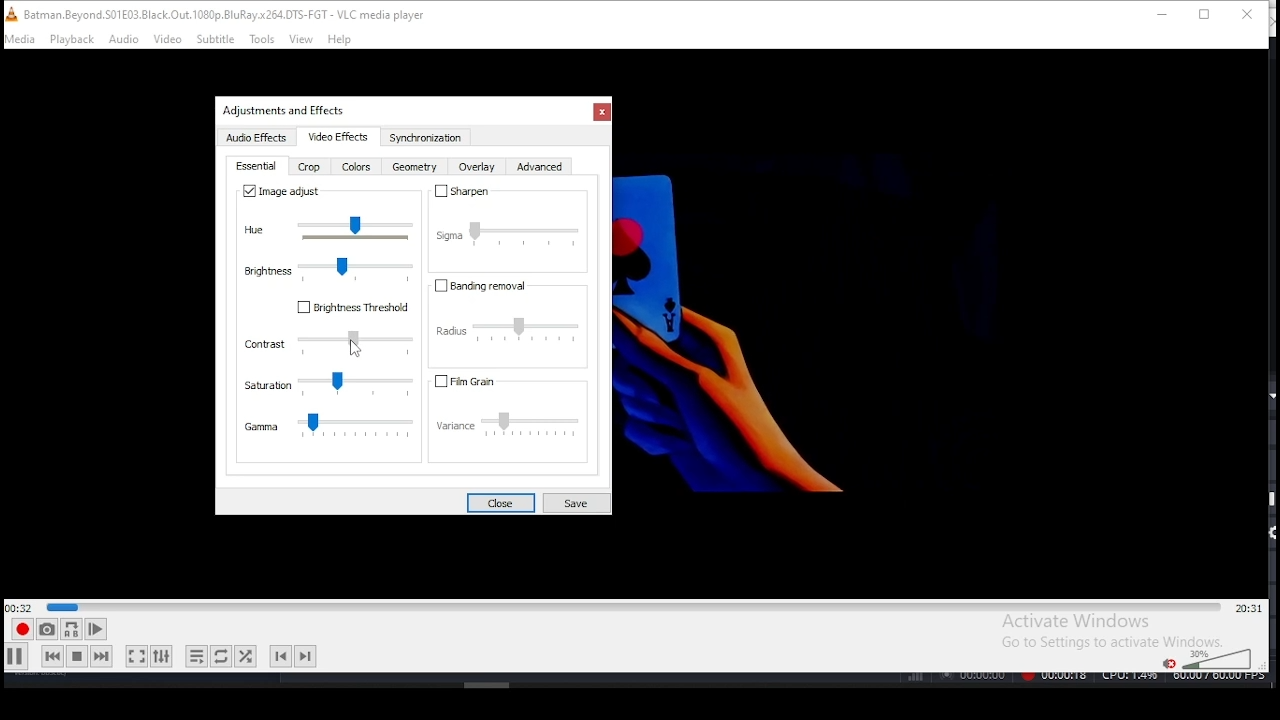  Describe the element at coordinates (353, 311) in the screenshot. I see `Brightness threshold on/off` at that location.